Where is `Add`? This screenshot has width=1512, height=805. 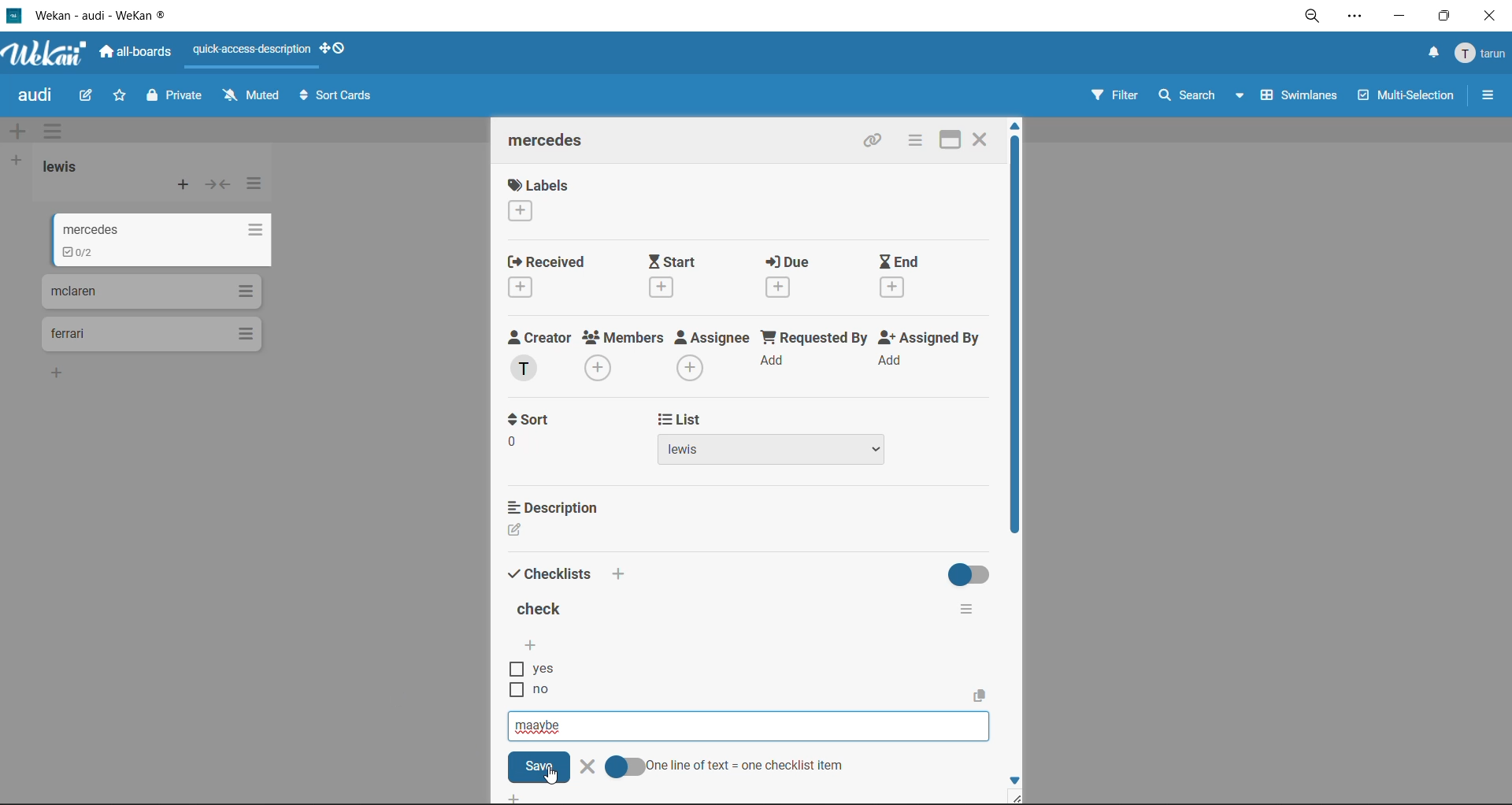
Add is located at coordinates (895, 359).